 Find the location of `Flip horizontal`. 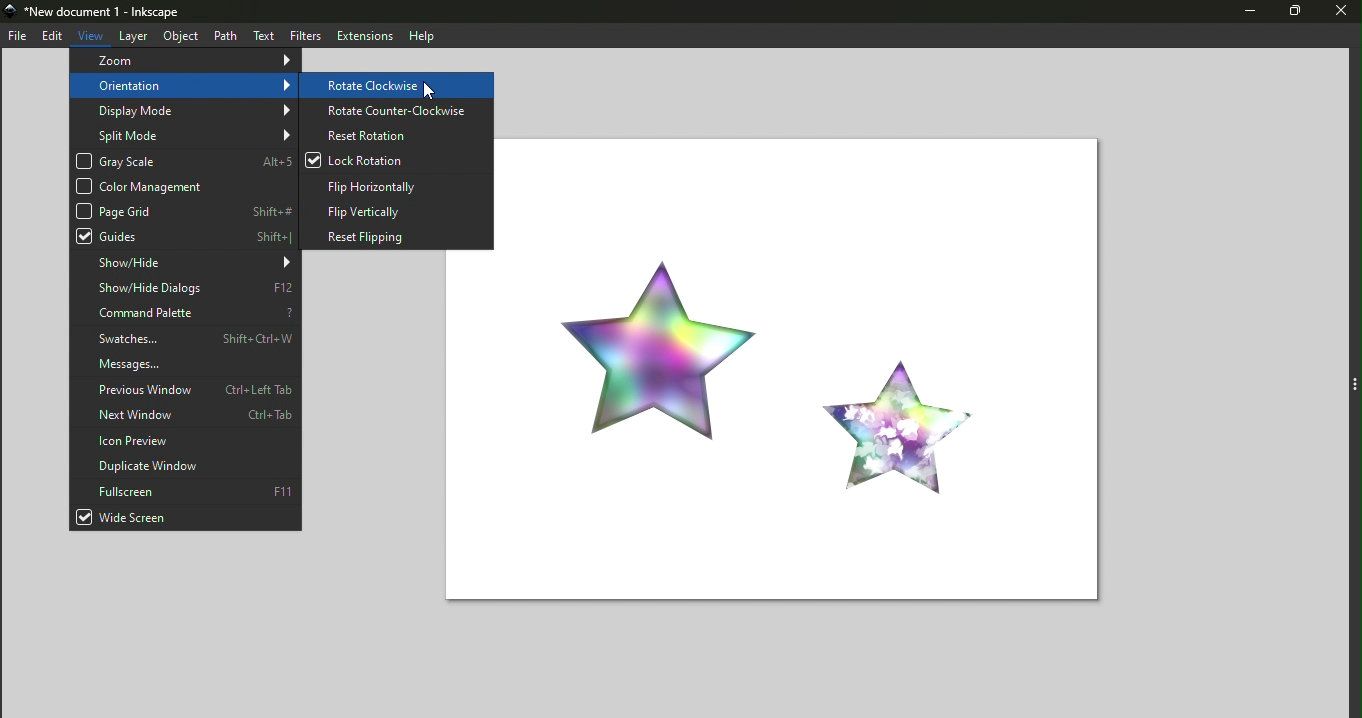

Flip horizontal is located at coordinates (397, 184).